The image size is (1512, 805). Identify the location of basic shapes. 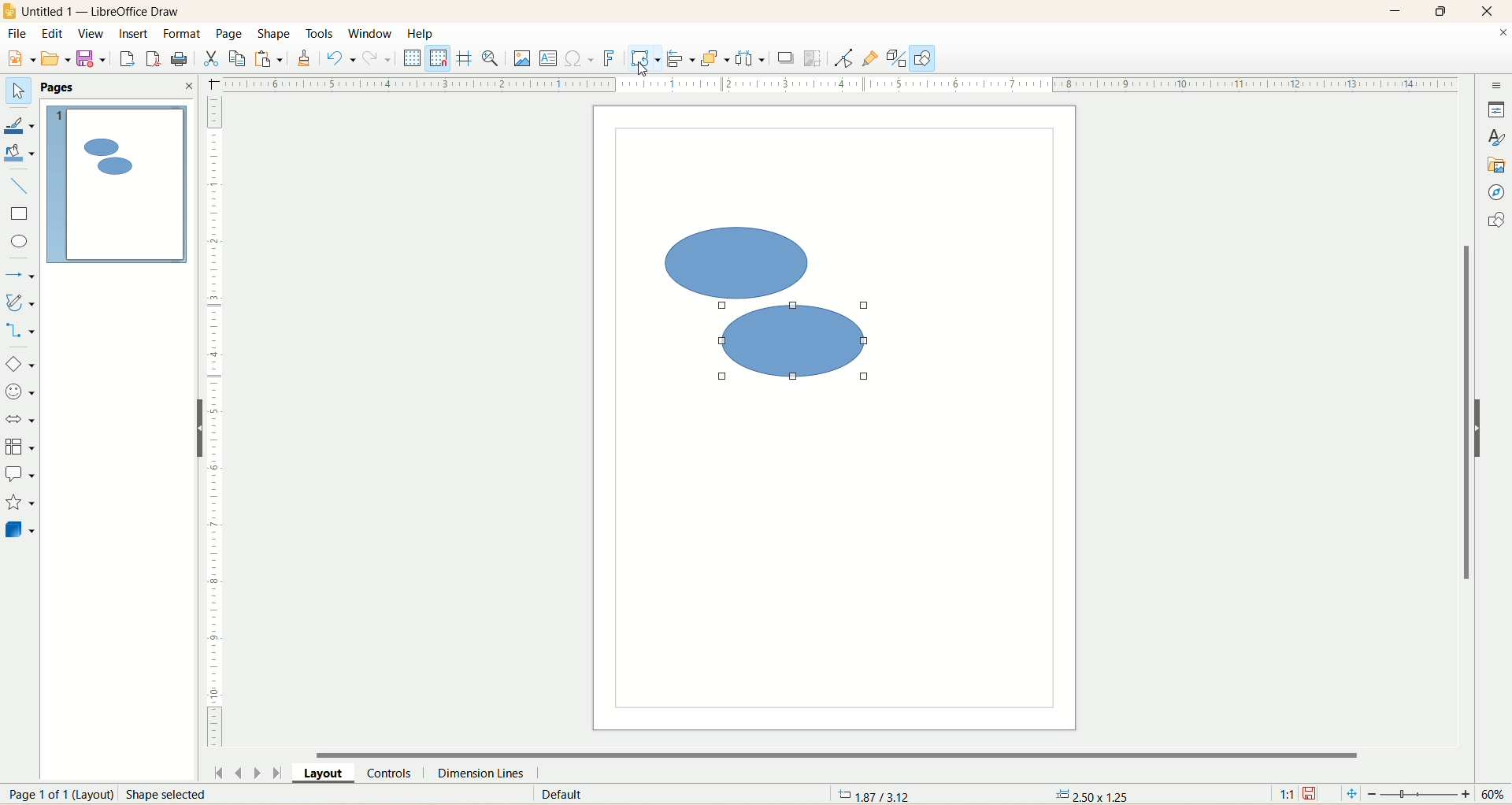
(19, 364).